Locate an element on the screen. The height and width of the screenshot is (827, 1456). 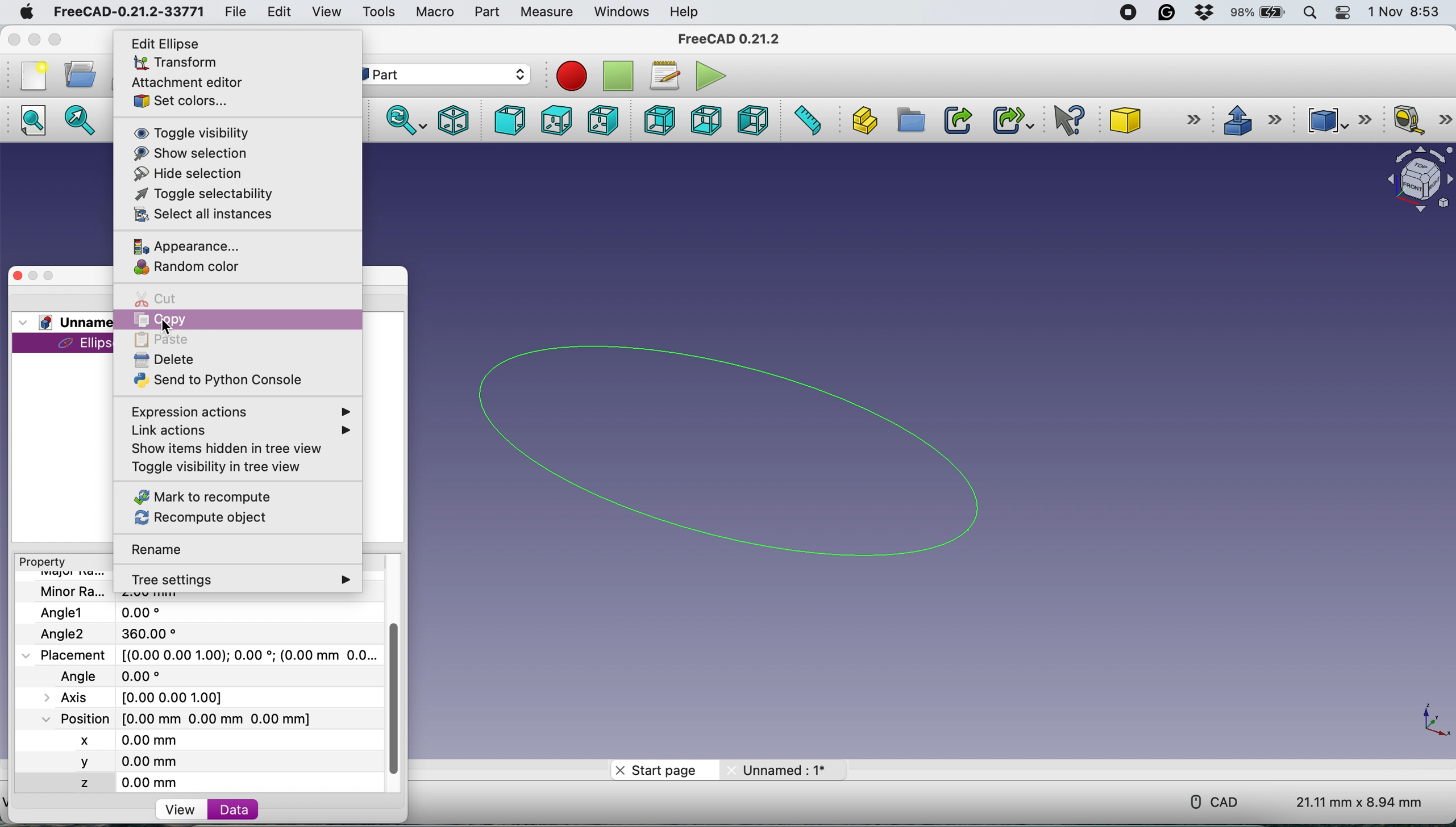
stop recording macros is located at coordinates (621, 75).